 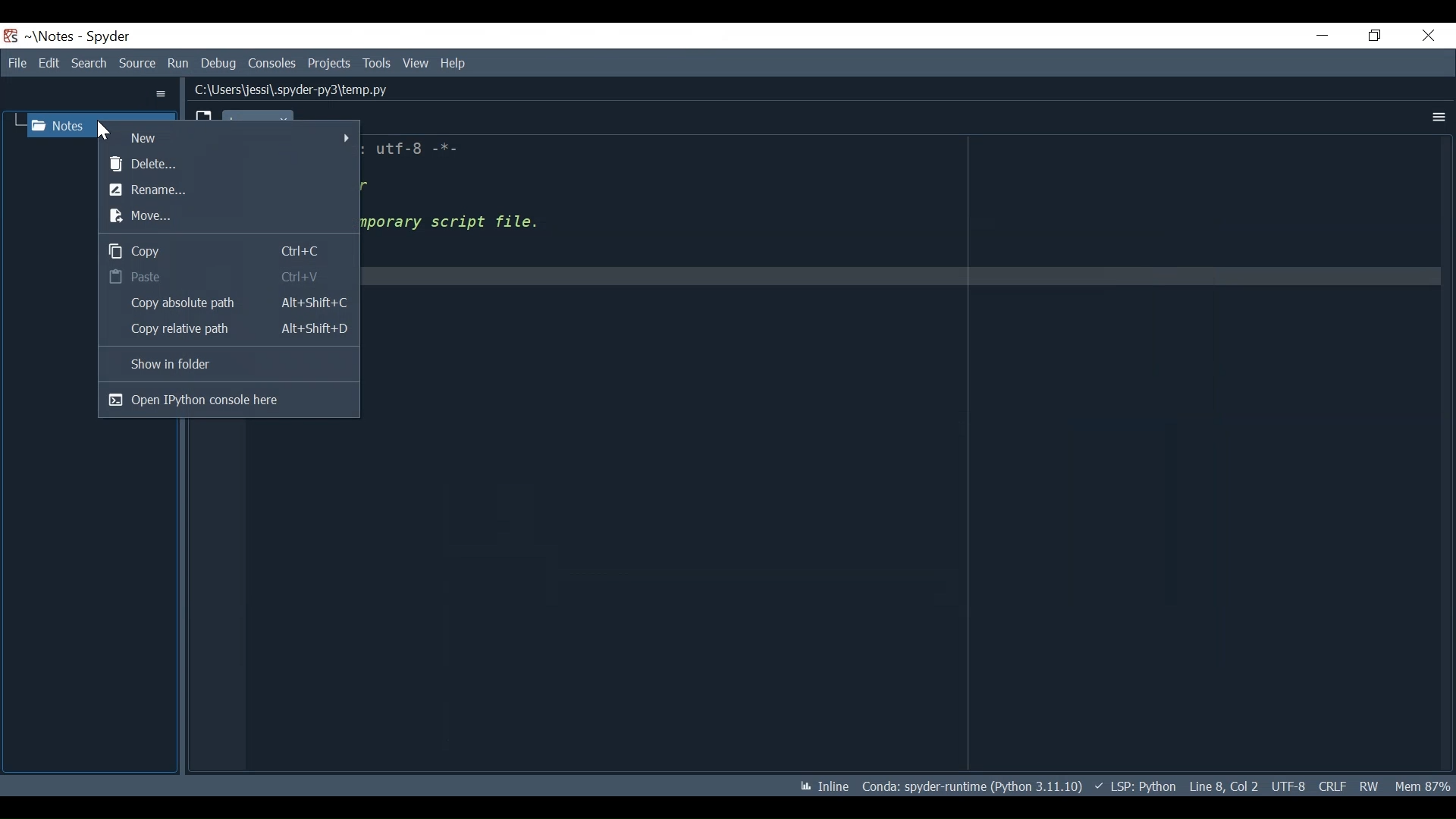 What do you see at coordinates (1288, 786) in the screenshot?
I see `File Encoding` at bounding box center [1288, 786].